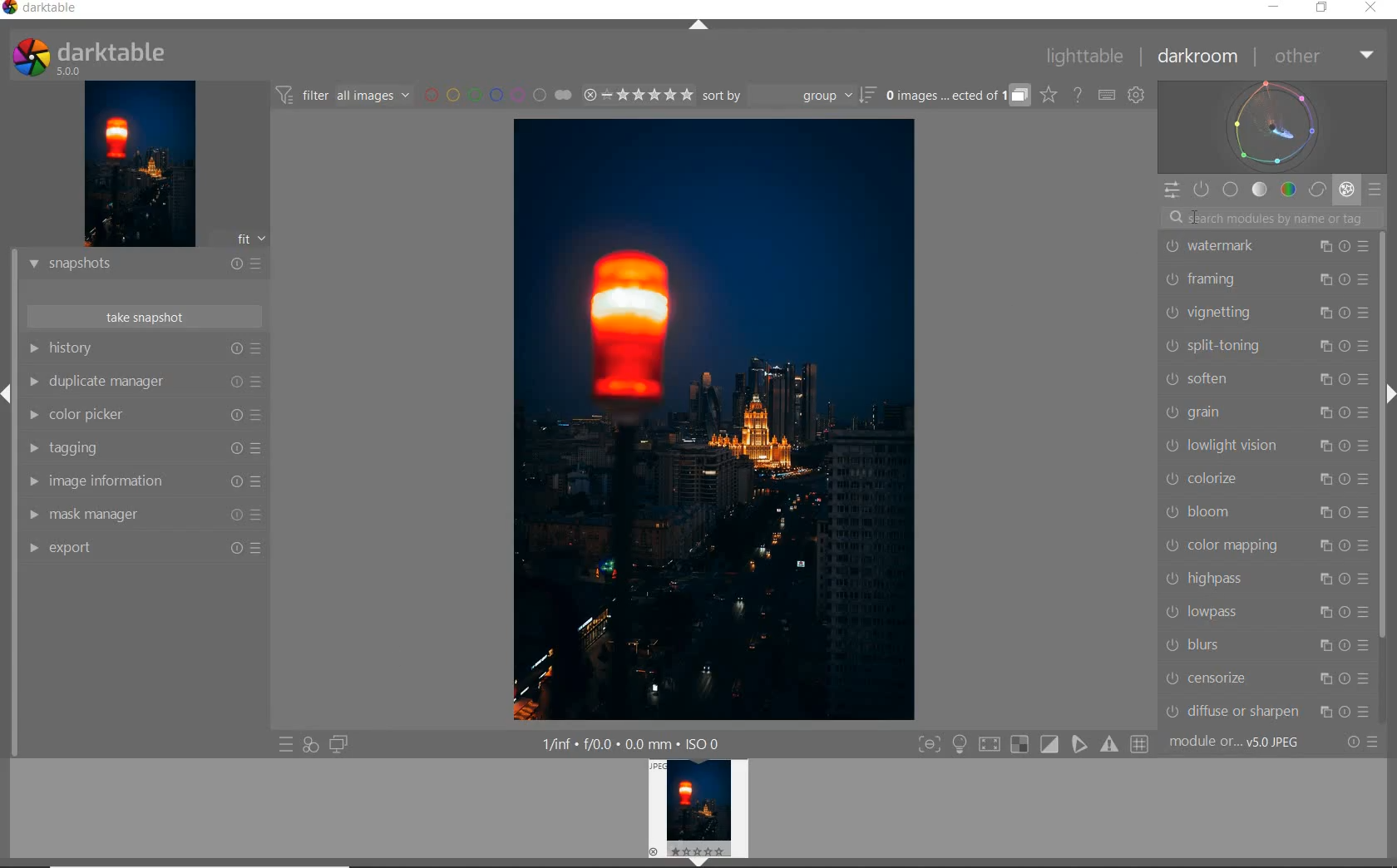  Describe the element at coordinates (103, 450) in the screenshot. I see `TAGGING` at that location.